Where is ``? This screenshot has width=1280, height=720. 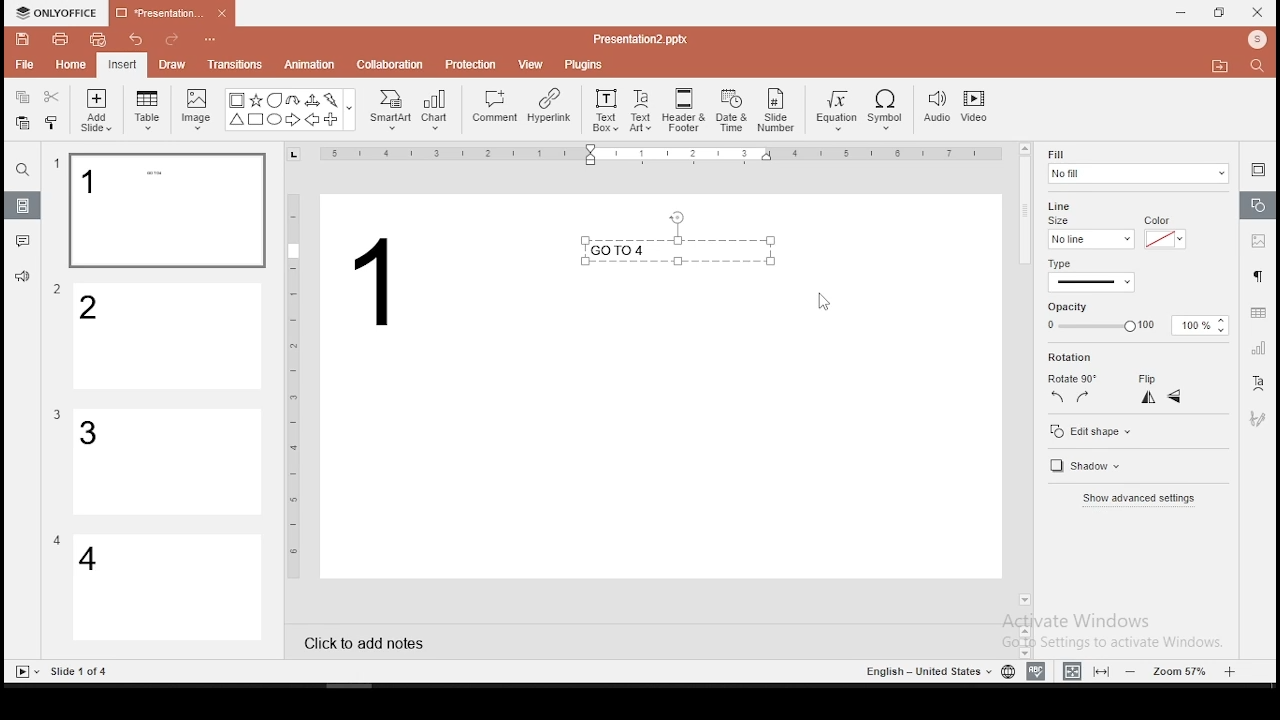  is located at coordinates (294, 384).